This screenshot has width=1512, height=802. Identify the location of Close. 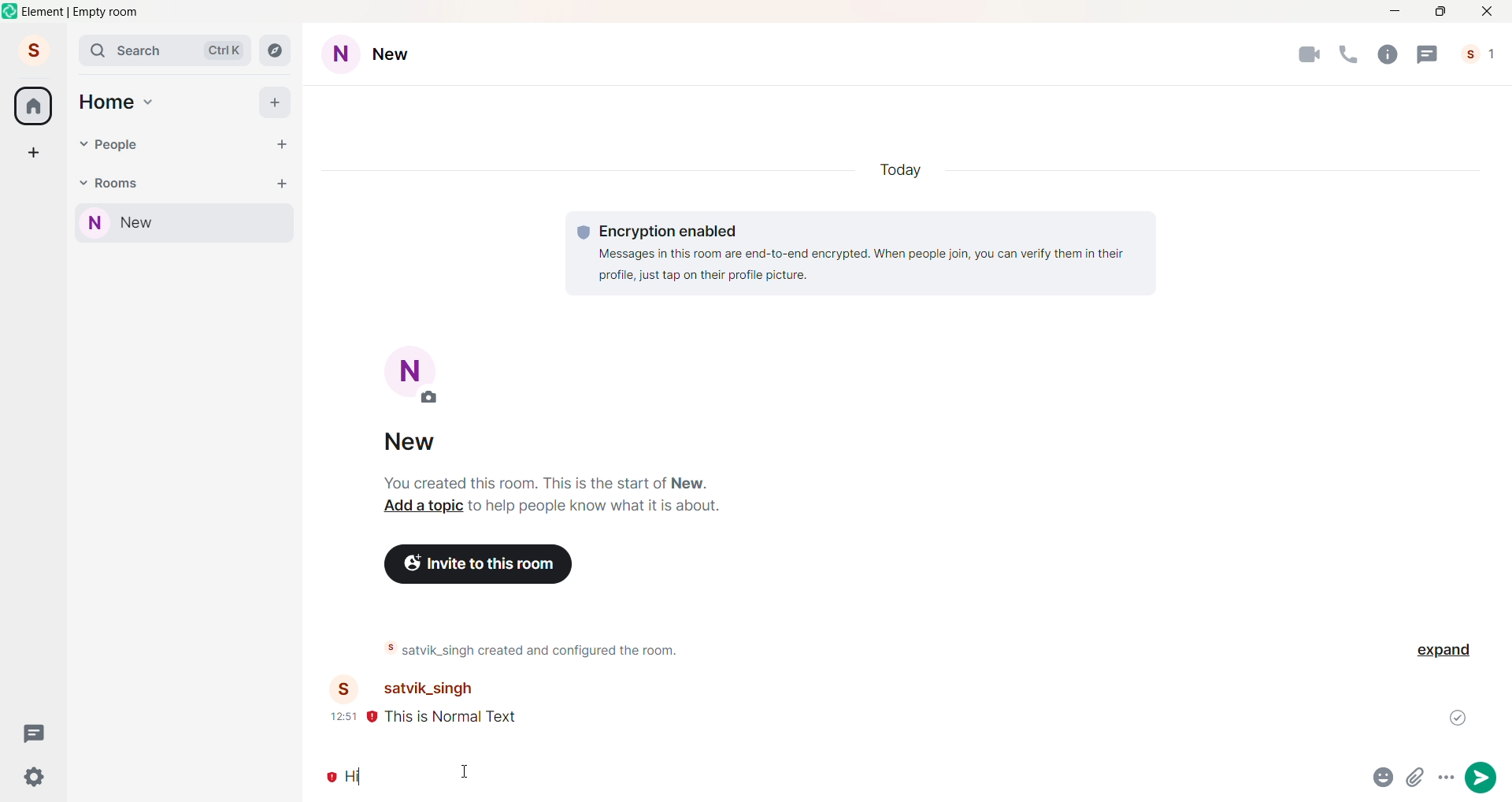
(1488, 11).